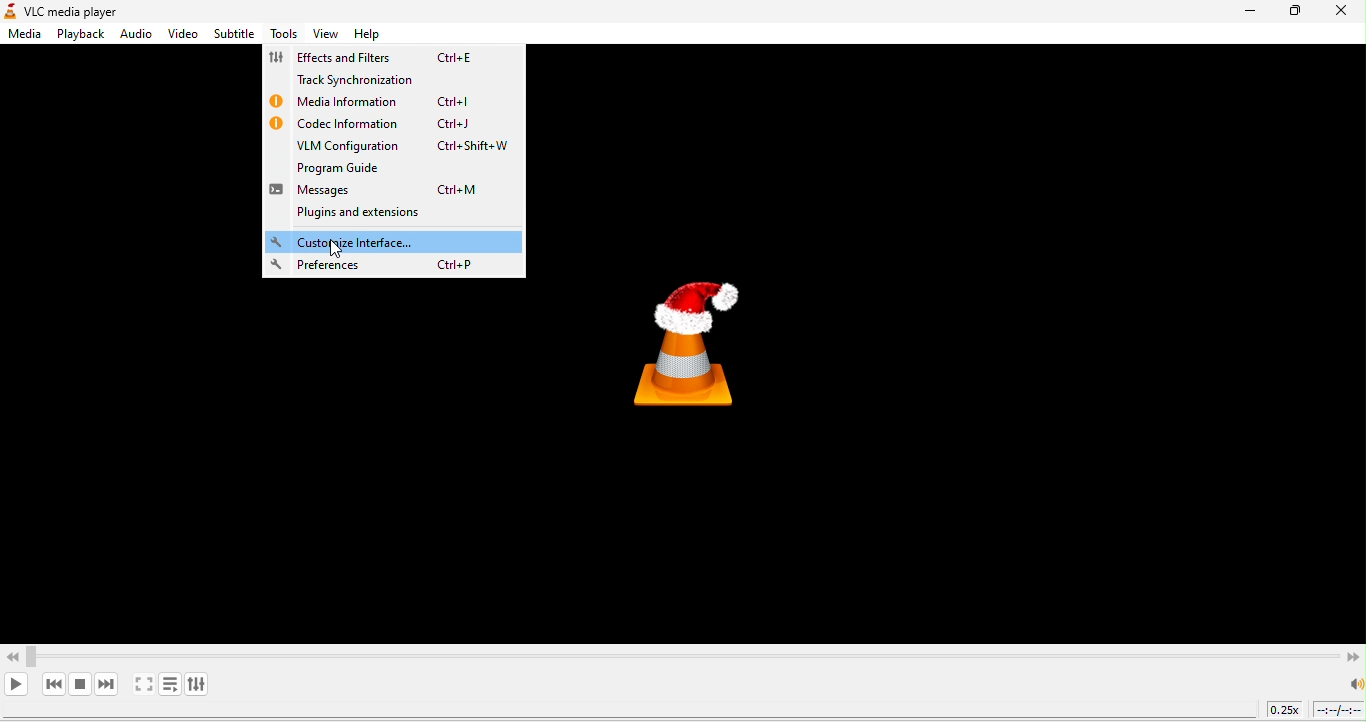 This screenshot has width=1366, height=722. Describe the element at coordinates (376, 214) in the screenshot. I see `plugins and extensions` at that location.